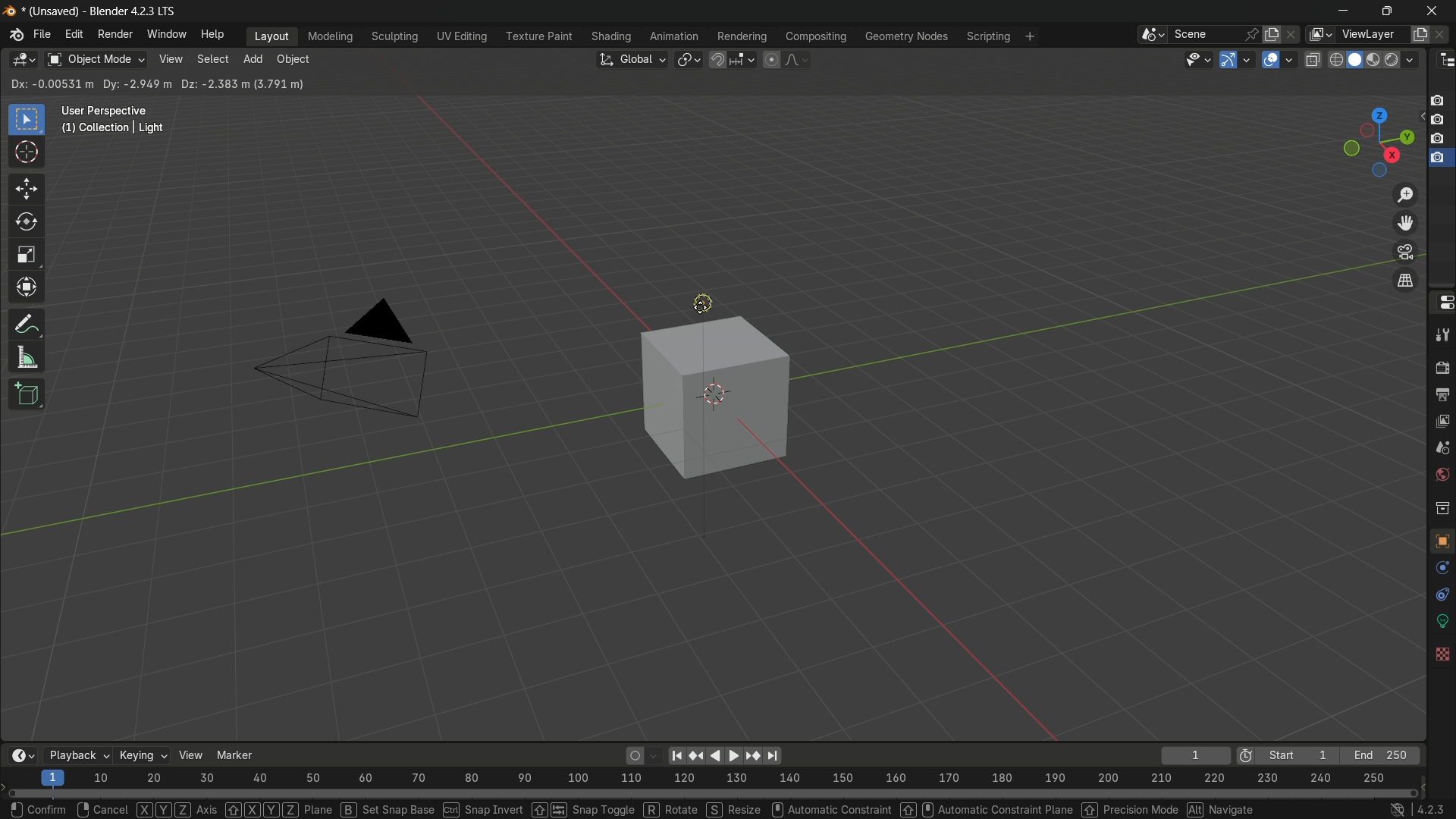 This screenshot has height=819, width=1456. What do you see at coordinates (799, 59) in the screenshot?
I see `proportional editing falloff` at bounding box center [799, 59].